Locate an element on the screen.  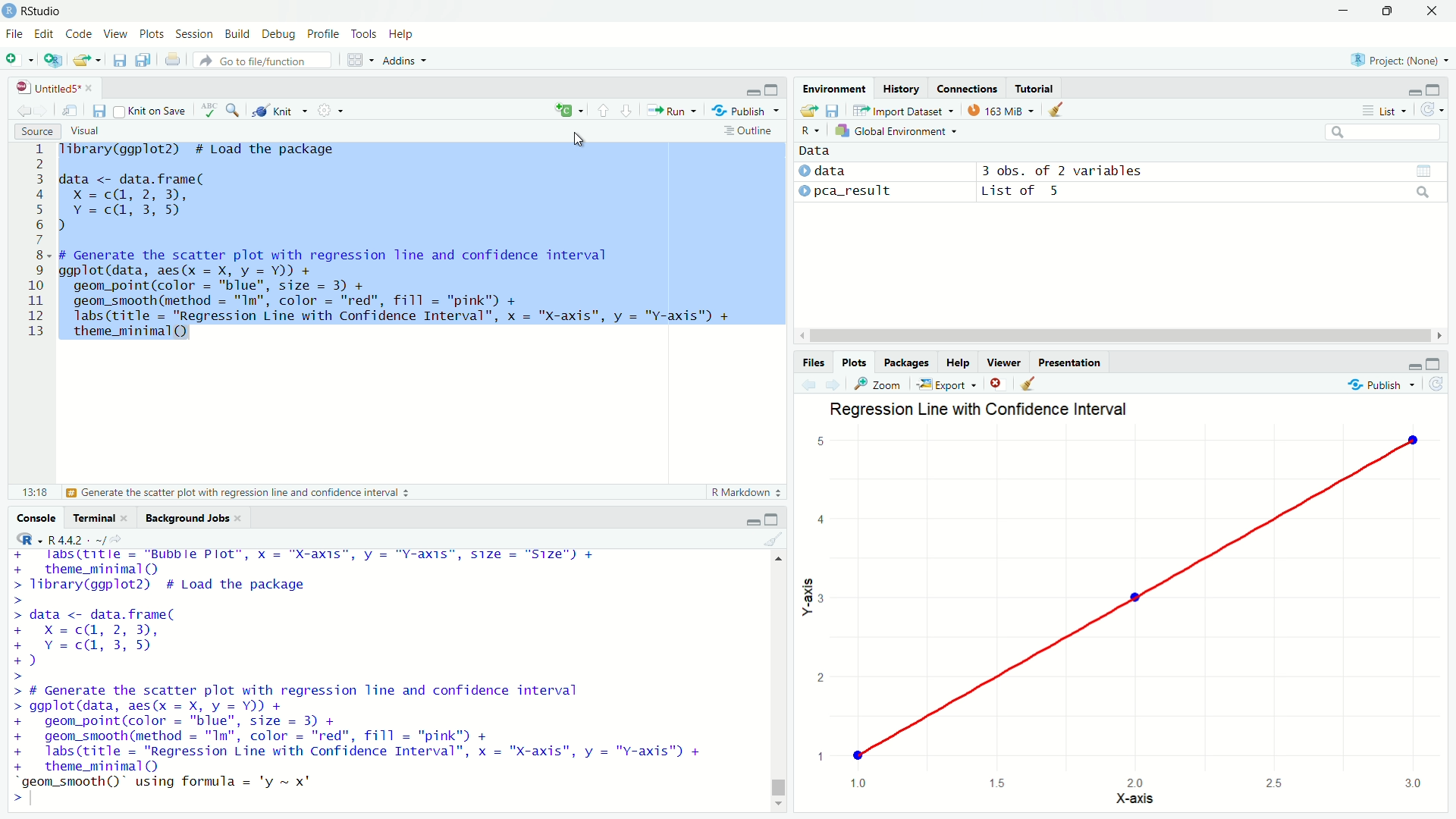
Tutorial is located at coordinates (1034, 88).